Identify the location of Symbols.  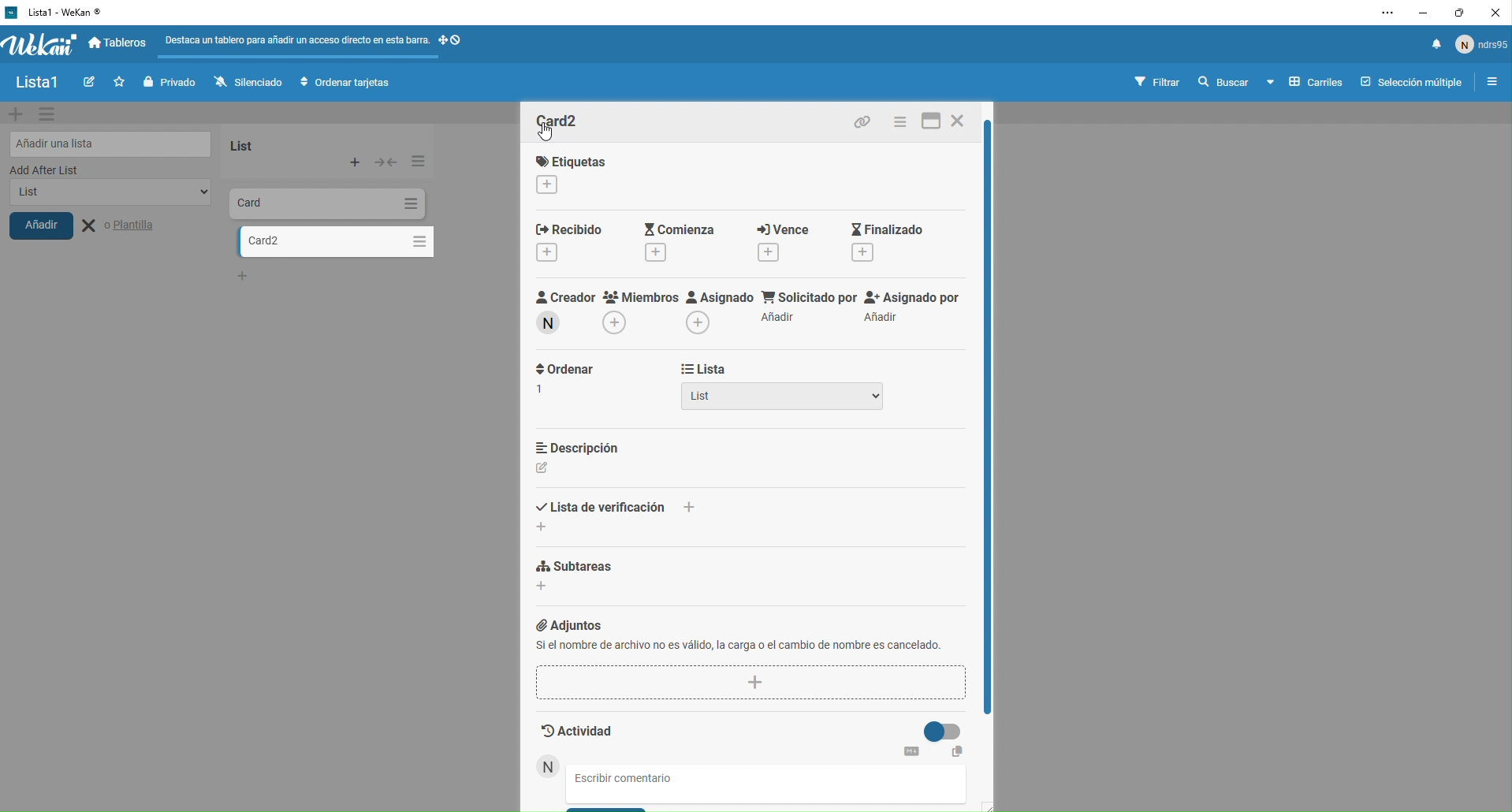
(464, 40).